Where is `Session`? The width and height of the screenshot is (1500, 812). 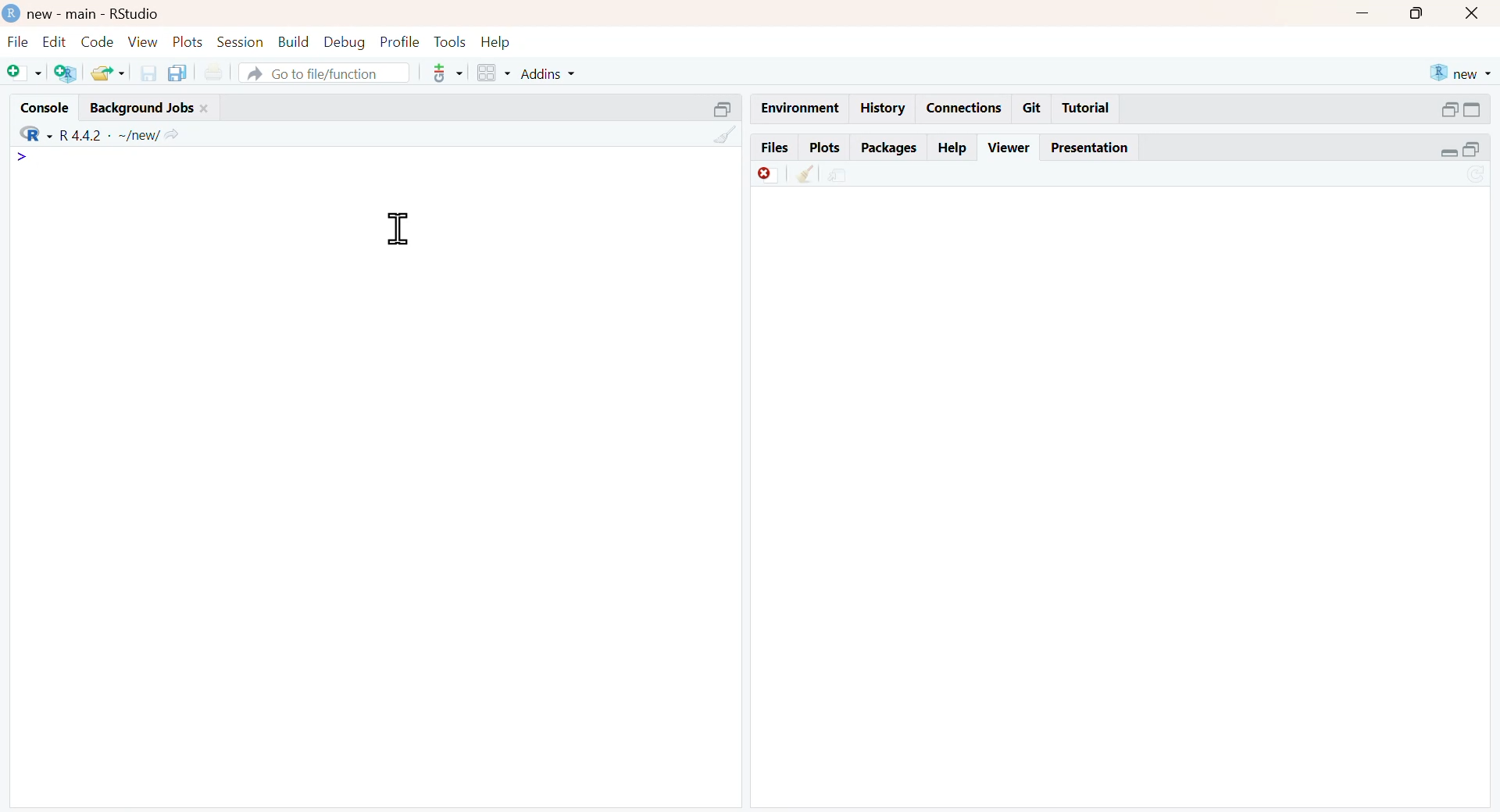
Session is located at coordinates (240, 42).